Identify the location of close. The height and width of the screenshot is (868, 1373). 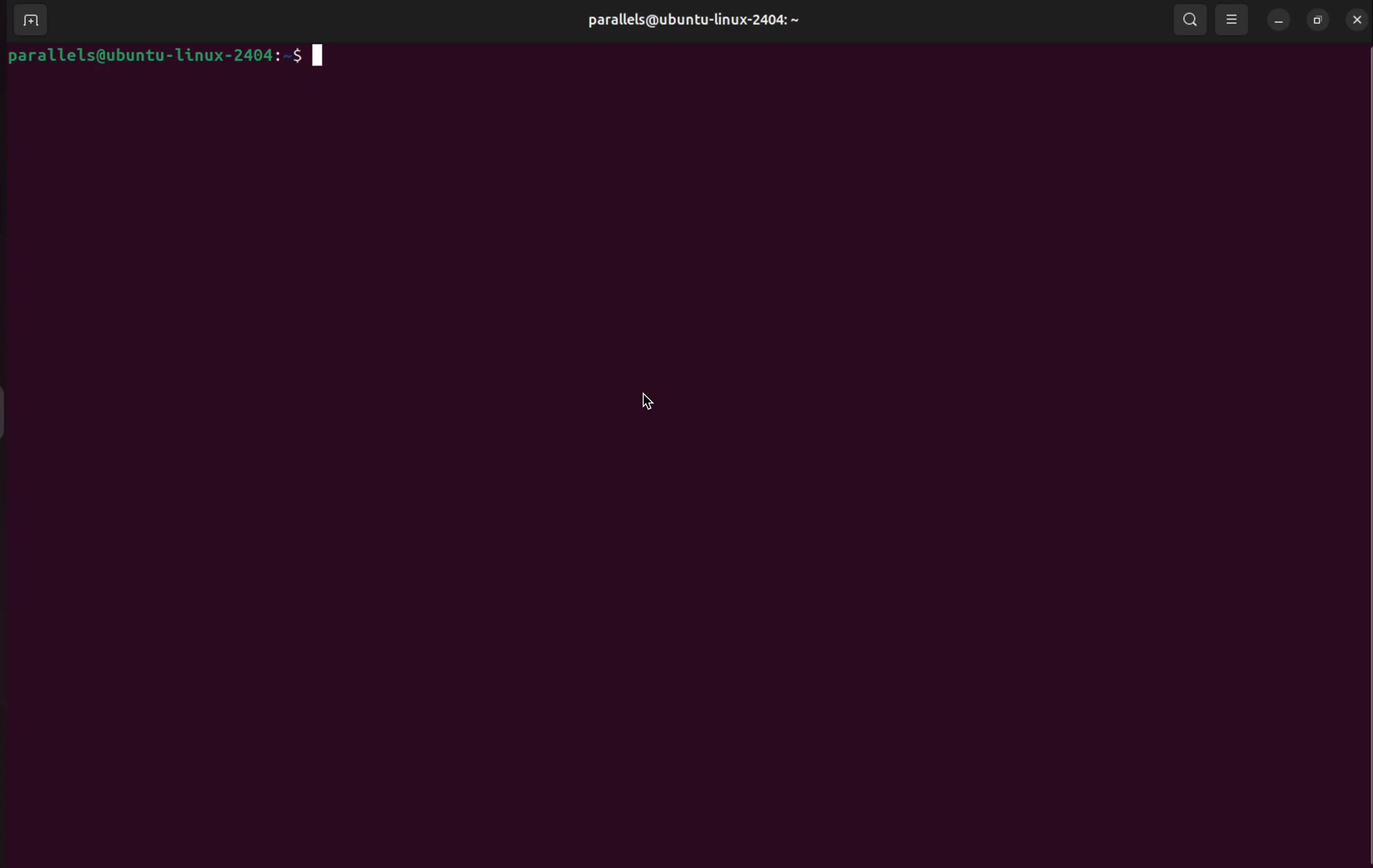
(1356, 19).